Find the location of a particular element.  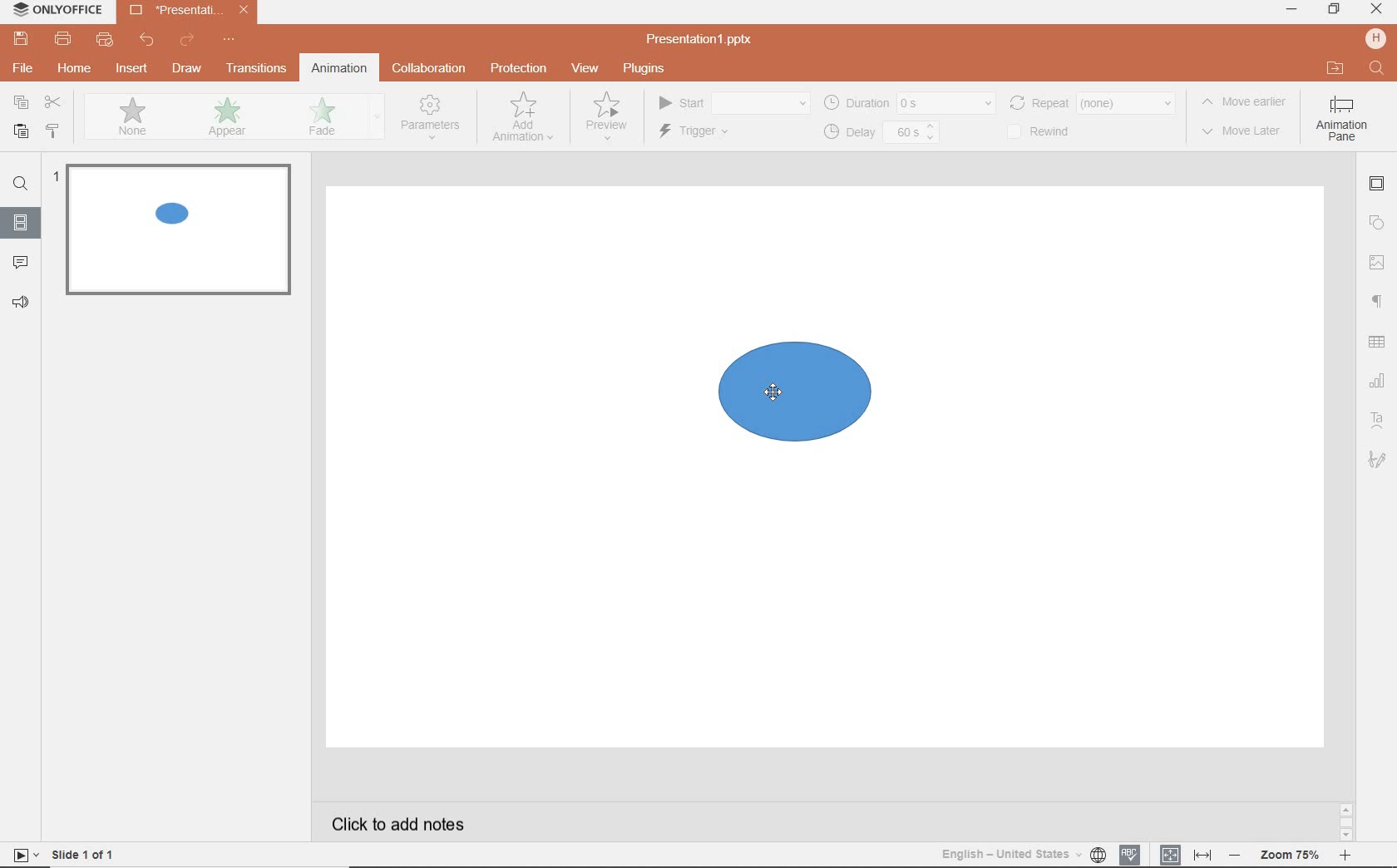

print is located at coordinates (63, 41).